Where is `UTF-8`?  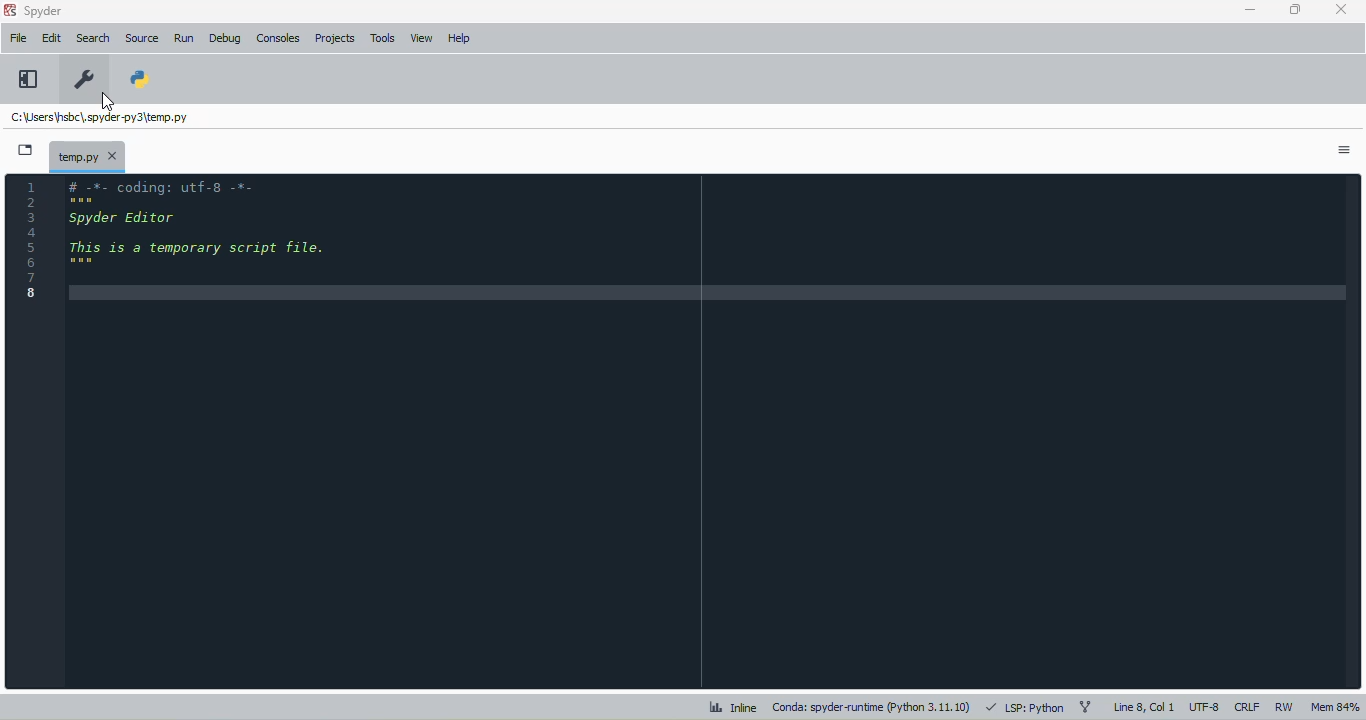
UTF-8 is located at coordinates (1205, 707).